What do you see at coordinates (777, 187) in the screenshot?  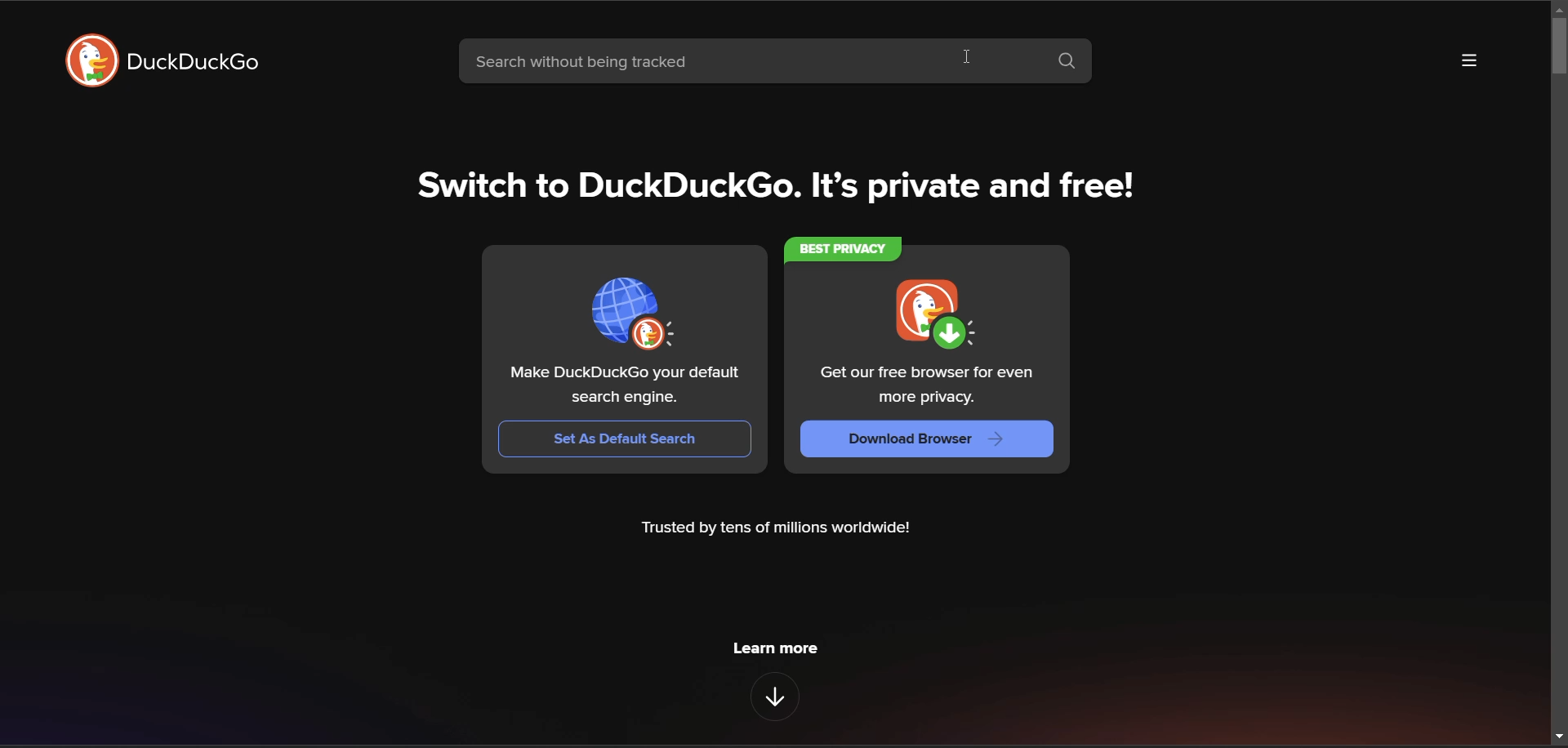 I see `Switch to DuckDuckGo. It’s private and free!` at bounding box center [777, 187].